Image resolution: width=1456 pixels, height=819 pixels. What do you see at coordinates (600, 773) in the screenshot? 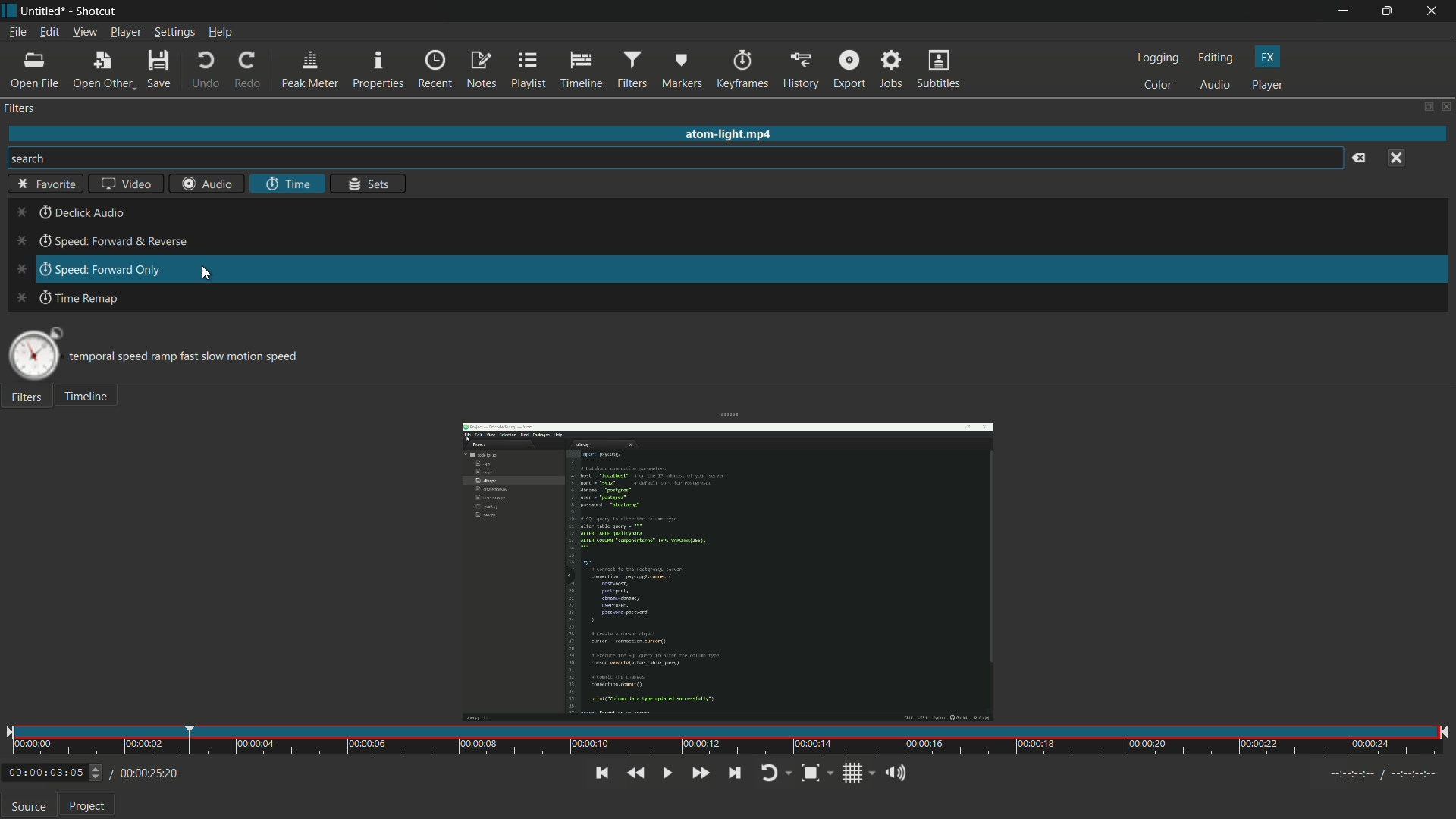
I see `skip to the previous point` at bounding box center [600, 773].